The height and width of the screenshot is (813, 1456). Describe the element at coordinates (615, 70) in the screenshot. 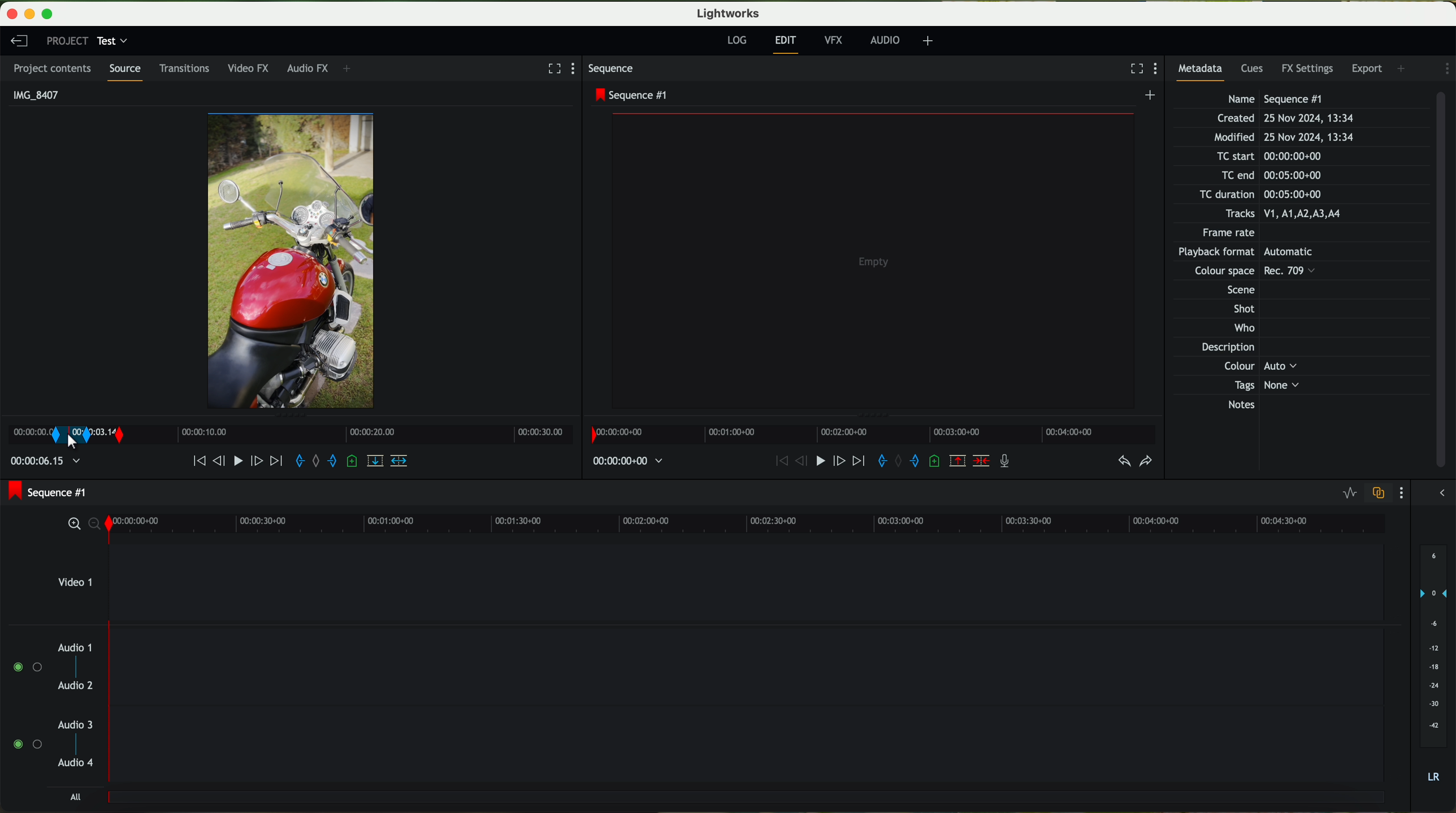

I see `sequence` at that location.